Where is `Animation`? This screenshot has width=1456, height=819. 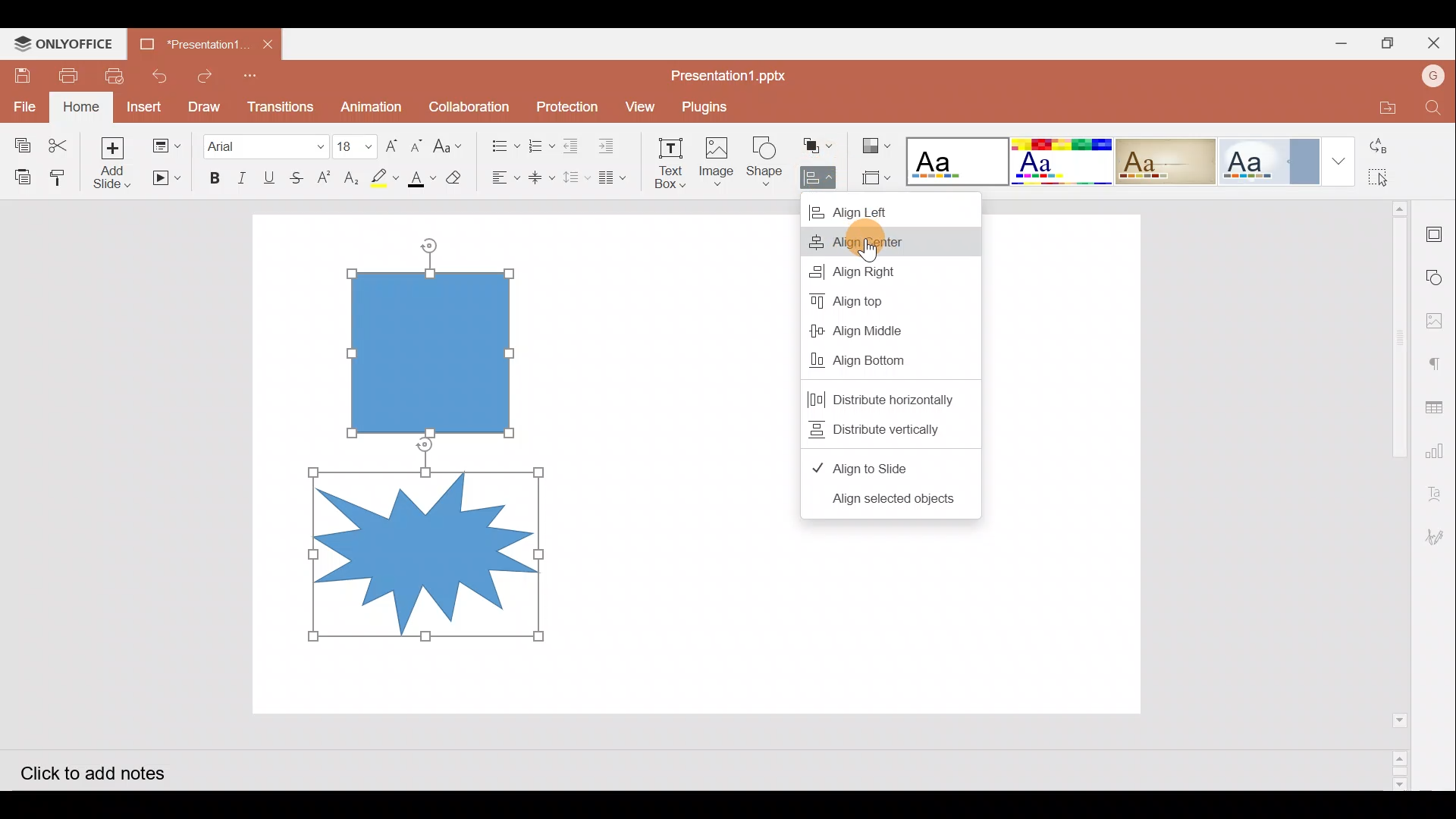 Animation is located at coordinates (372, 102).